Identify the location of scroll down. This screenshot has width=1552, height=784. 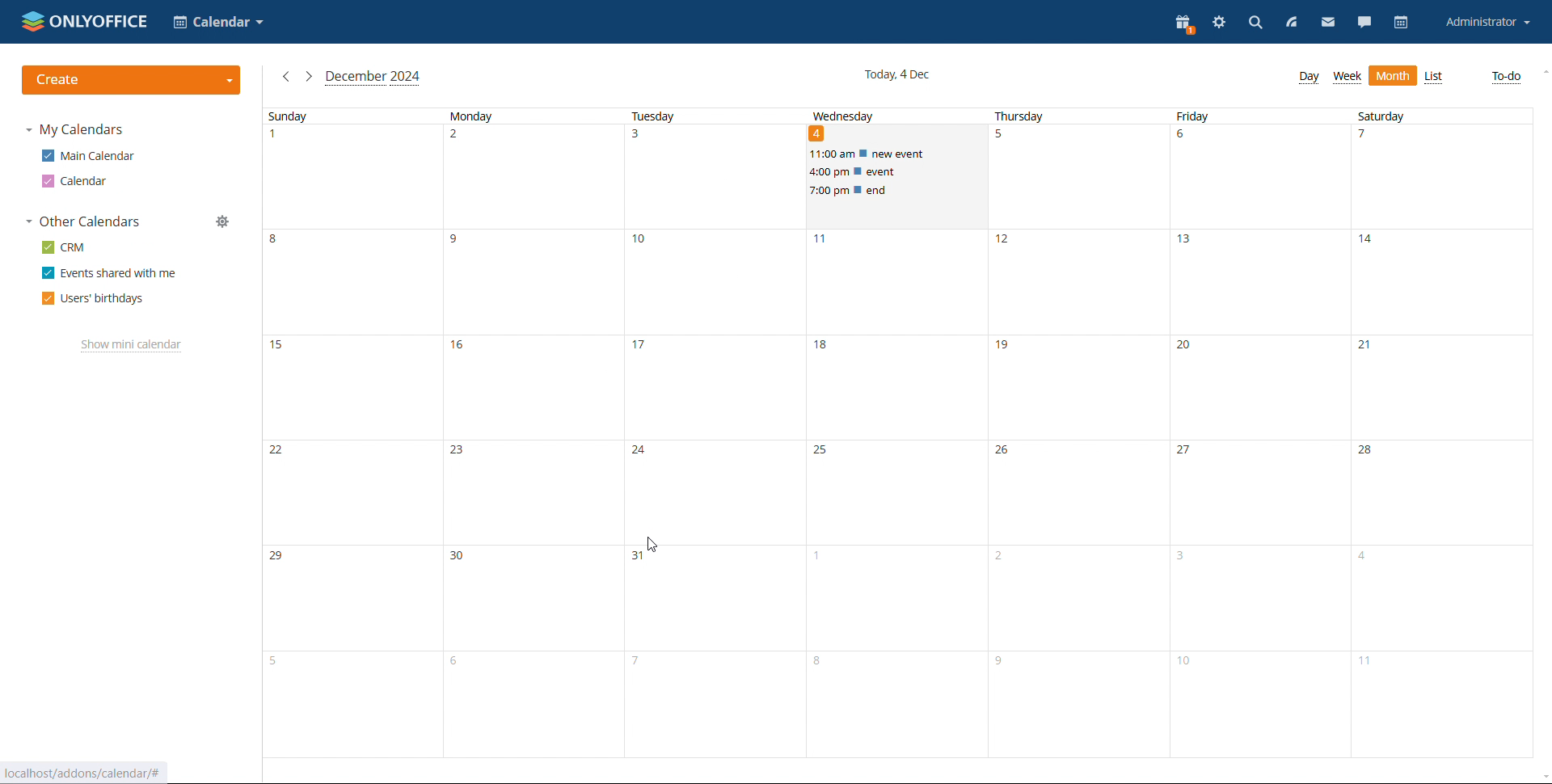
(1542, 776).